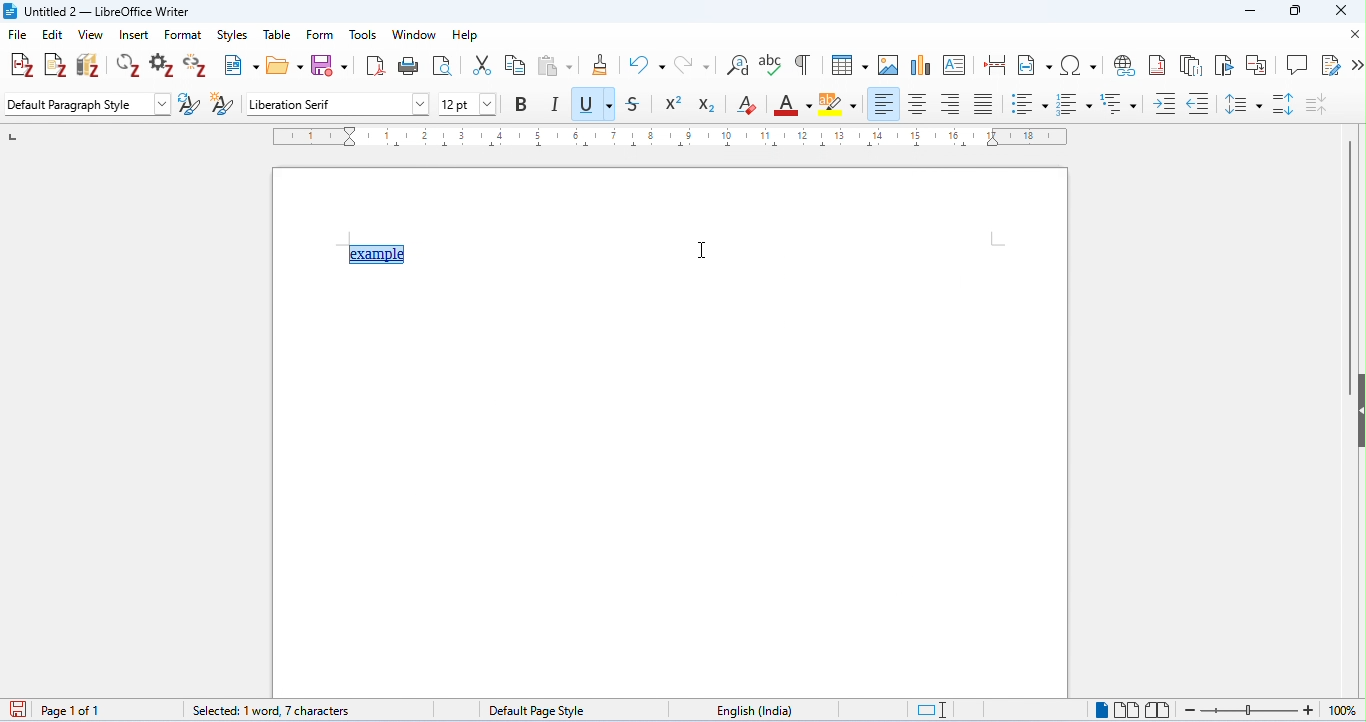 This screenshot has height=722, width=1366. I want to click on language, so click(744, 710).